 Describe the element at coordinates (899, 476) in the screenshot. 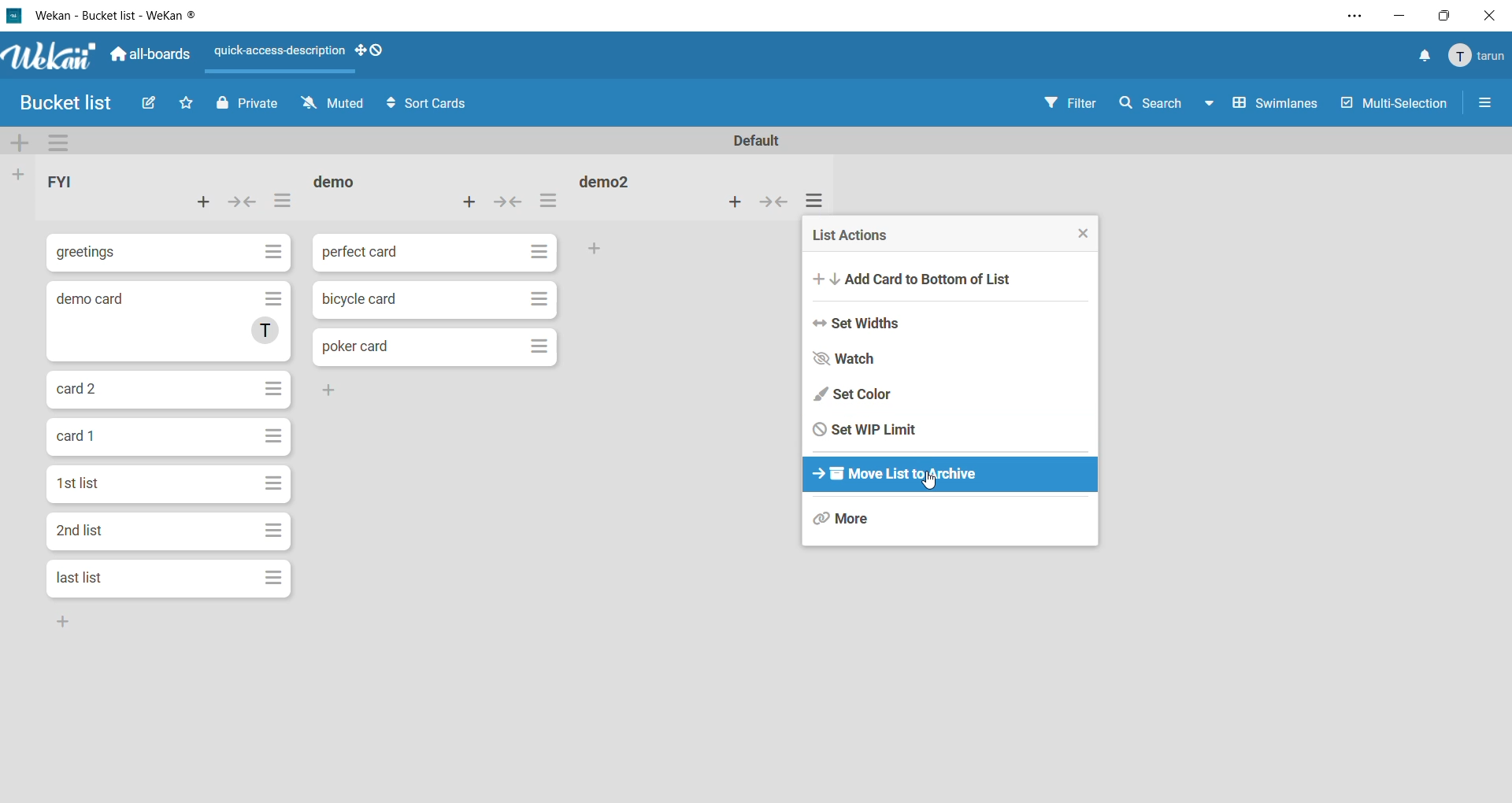

I see `move list to archive` at that location.